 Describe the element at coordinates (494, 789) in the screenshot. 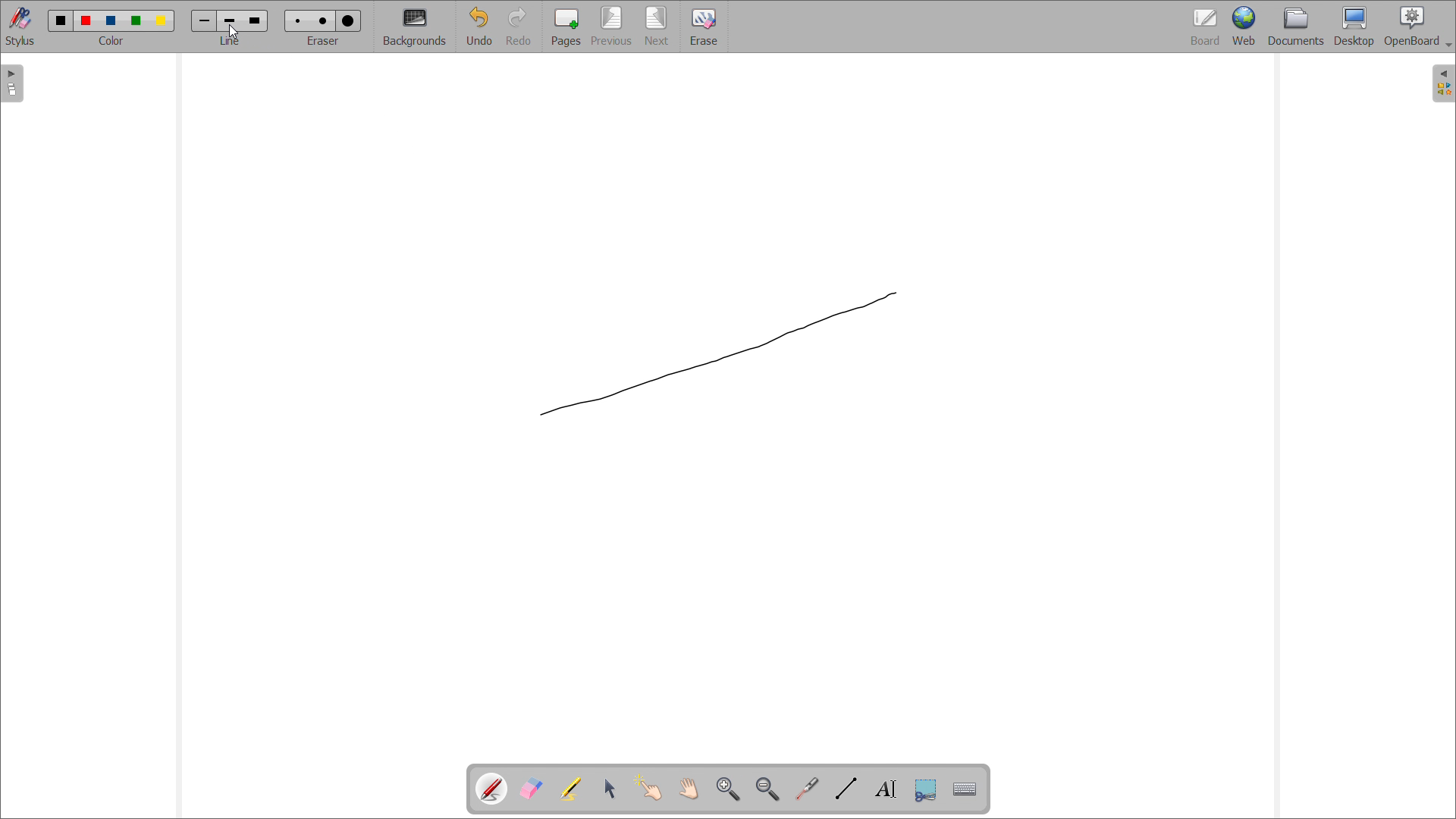

I see `pen tool` at that location.